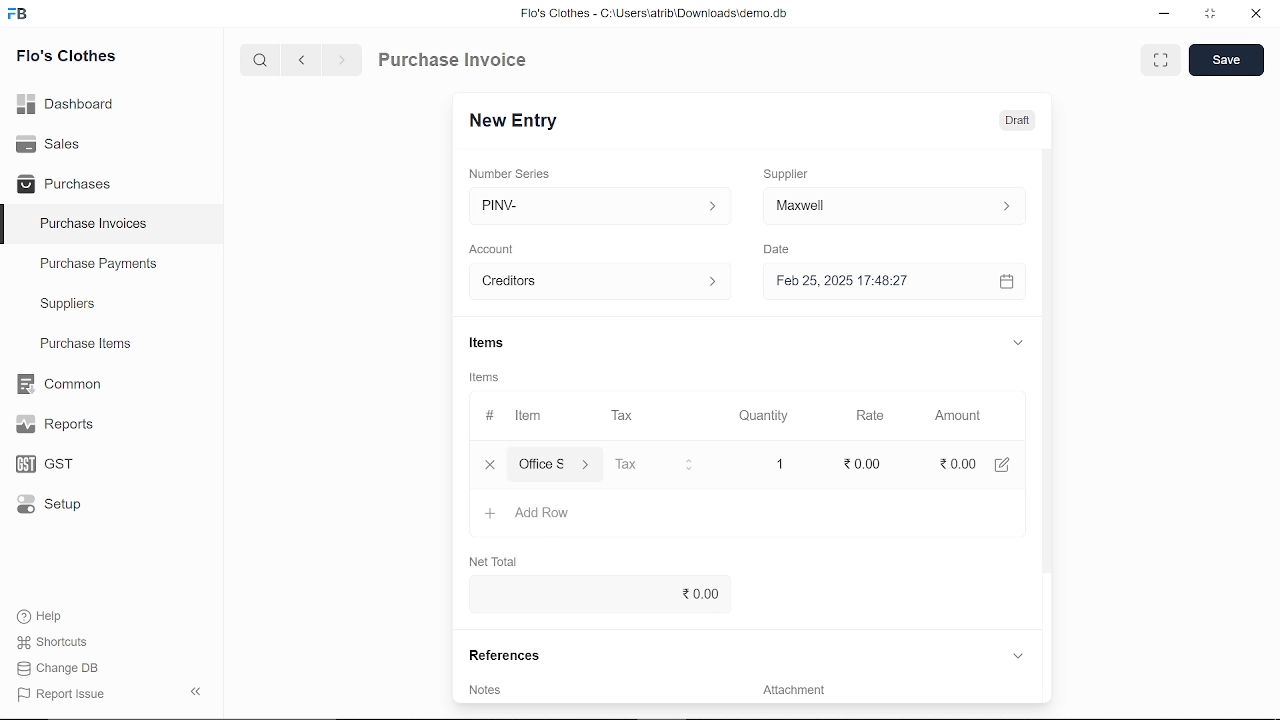 Image resolution: width=1280 pixels, height=720 pixels. I want to click on Item, so click(514, 416).